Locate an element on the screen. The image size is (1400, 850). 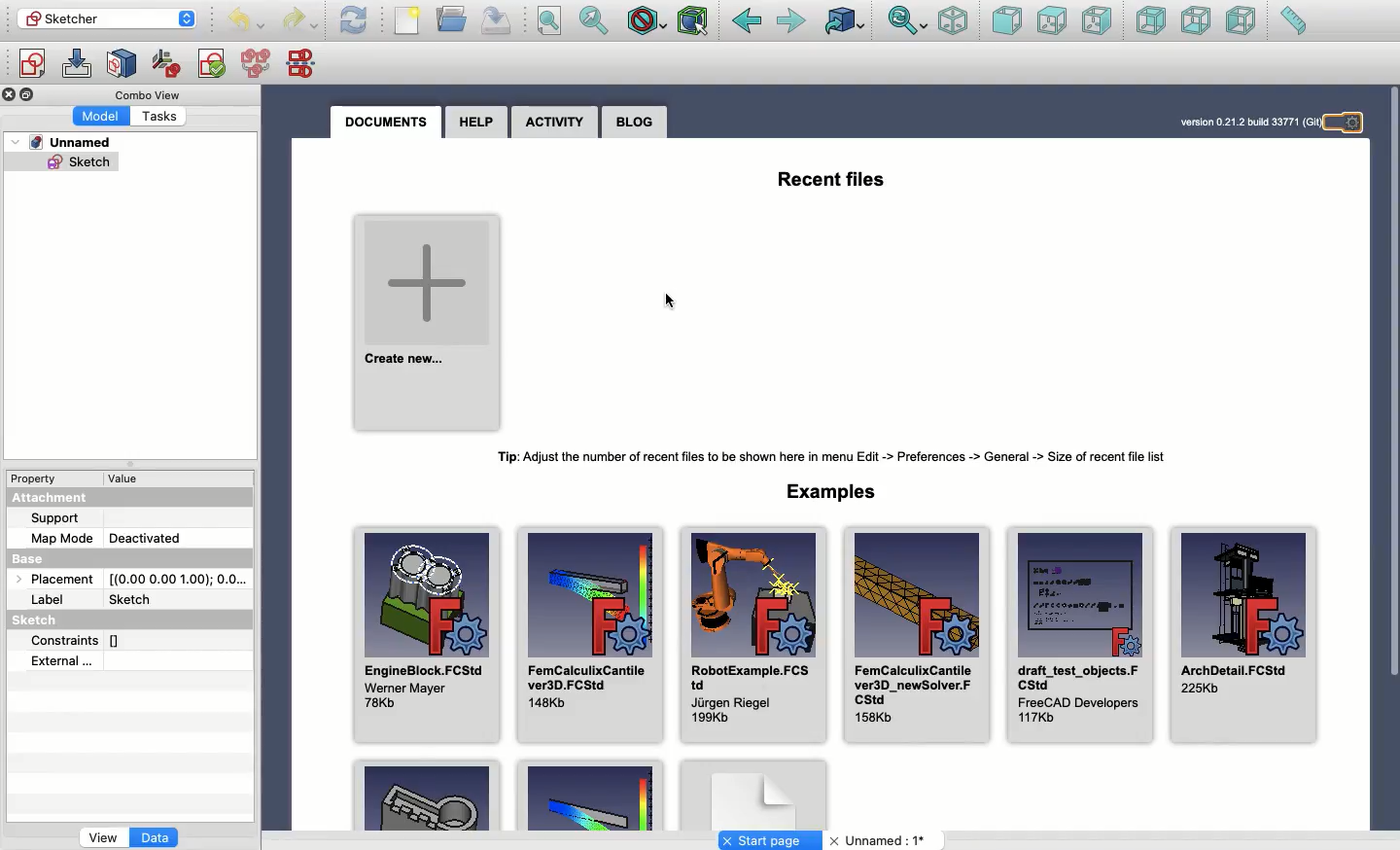
View is located at coordinates (102, 836).